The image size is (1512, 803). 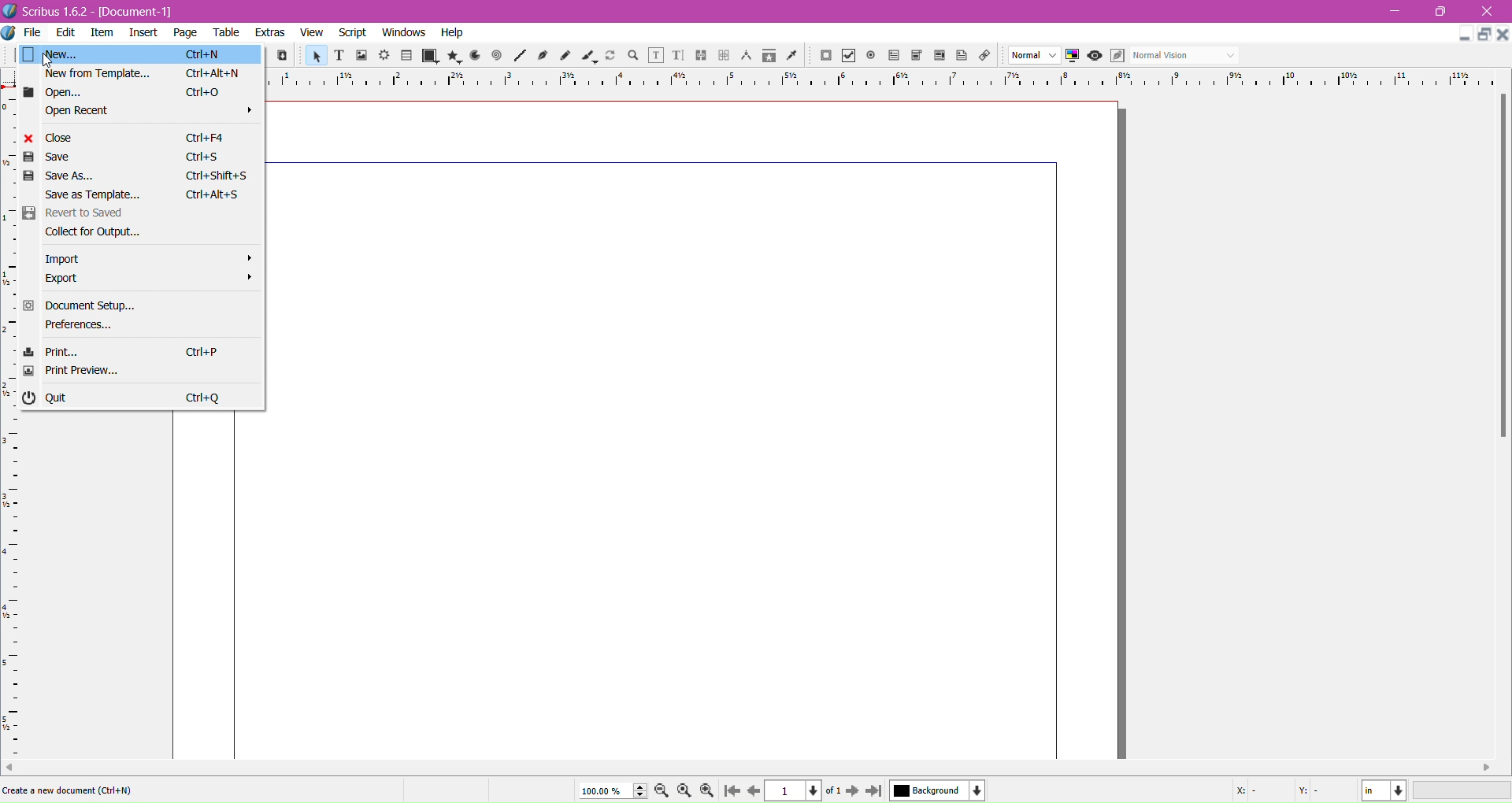 What do you see at coordinates (363, 56) in the screenshot?
I see `add image` at bounding box center [363, 56].